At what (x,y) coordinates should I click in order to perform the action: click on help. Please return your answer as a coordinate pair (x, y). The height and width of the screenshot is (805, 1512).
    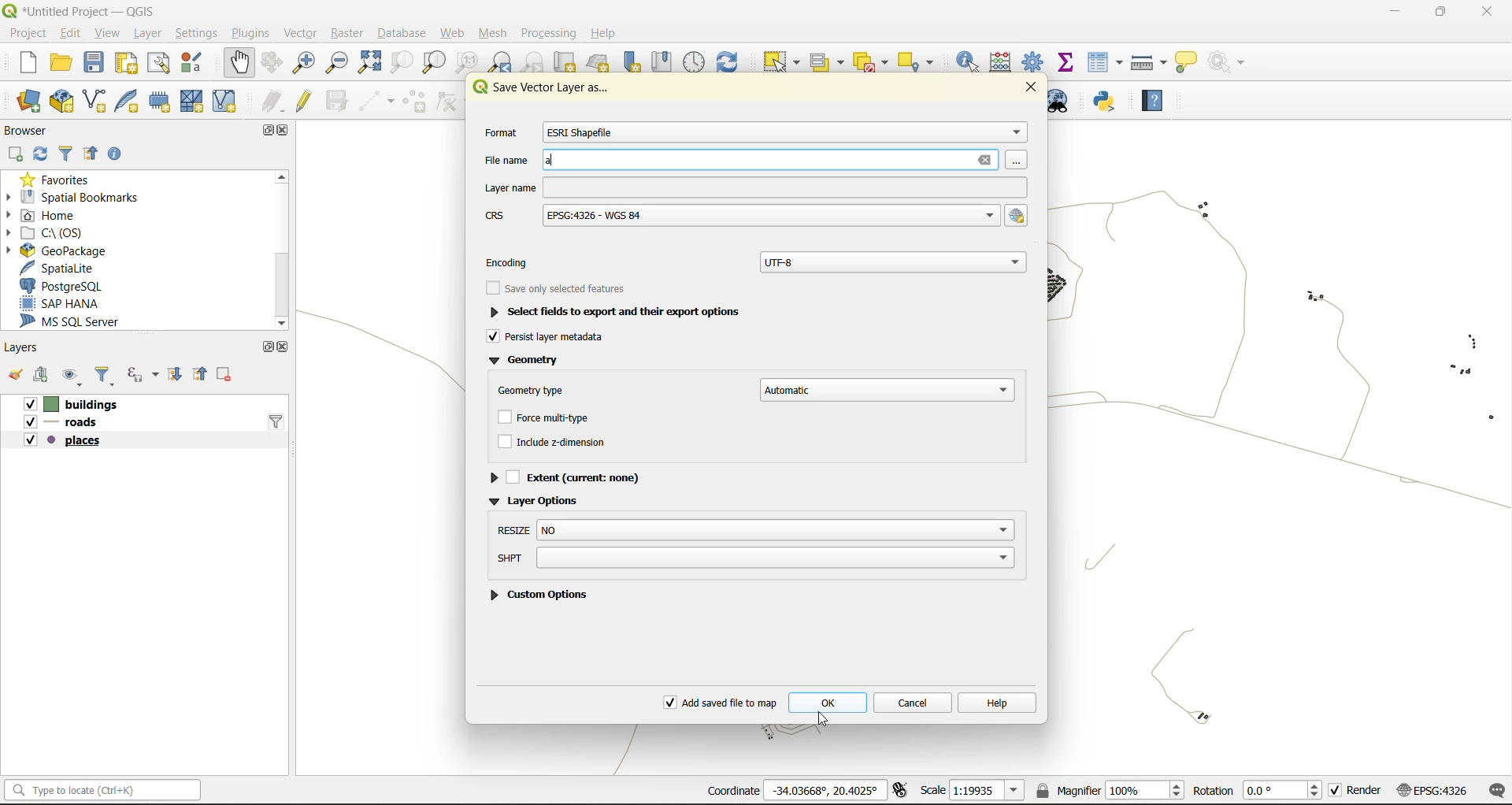
    Looking at the image, I should click on (1002, 702).